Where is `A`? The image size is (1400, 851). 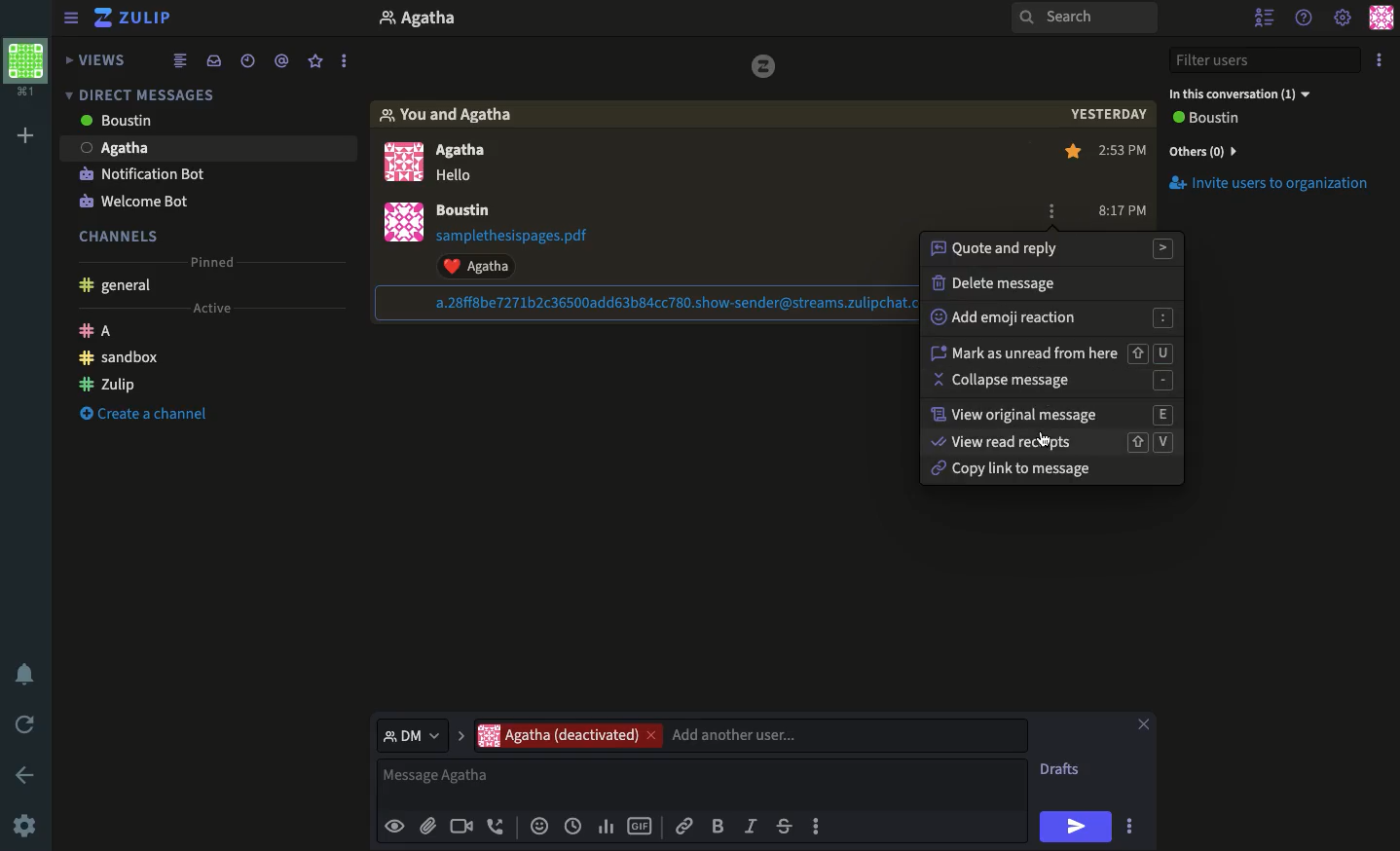 A is located at coordinates (99, 333).